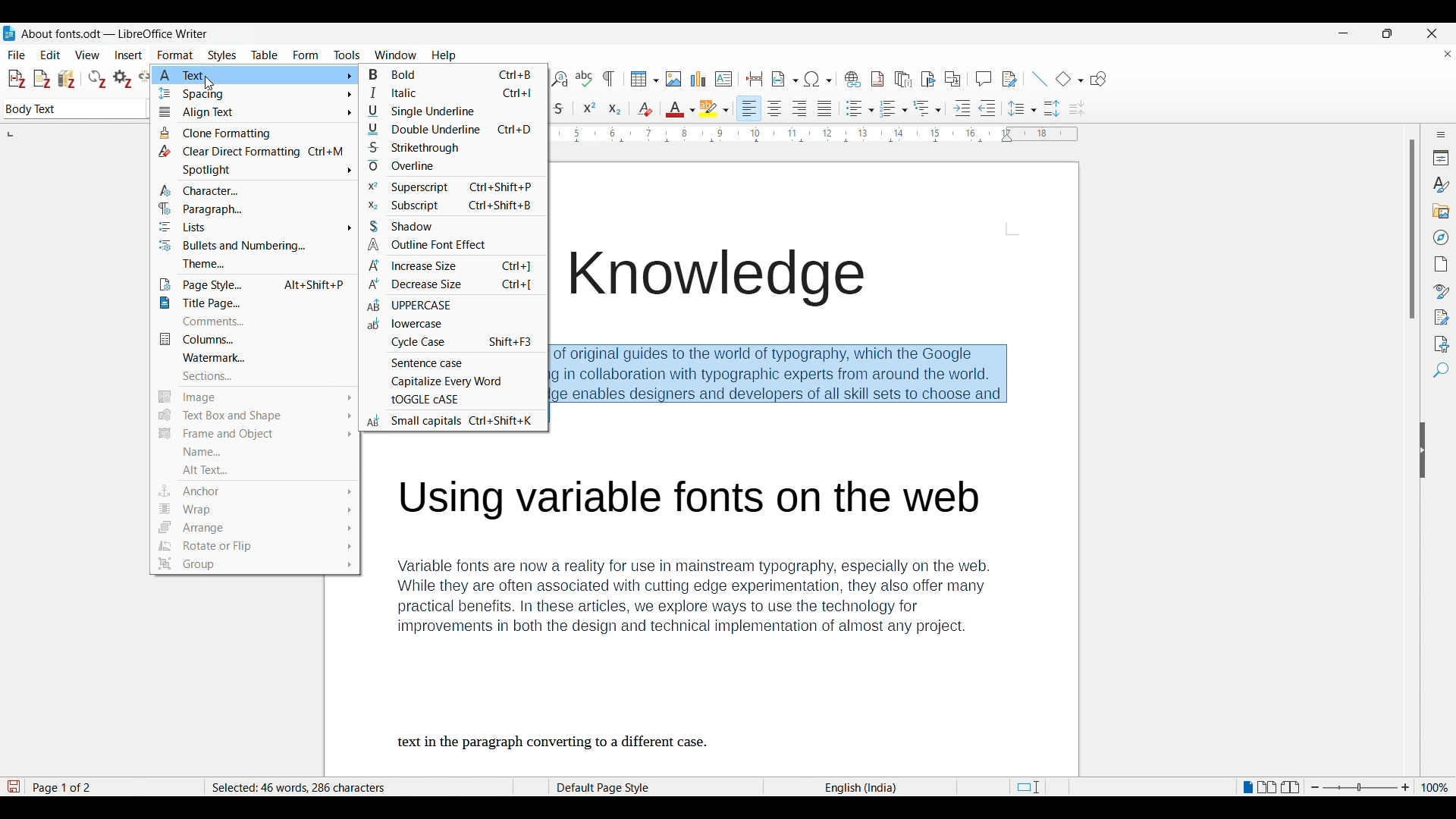  What do you see at coordinates (1448, 54) in the screenshot?
I see `Close document` at bounding box center [1448, 54].